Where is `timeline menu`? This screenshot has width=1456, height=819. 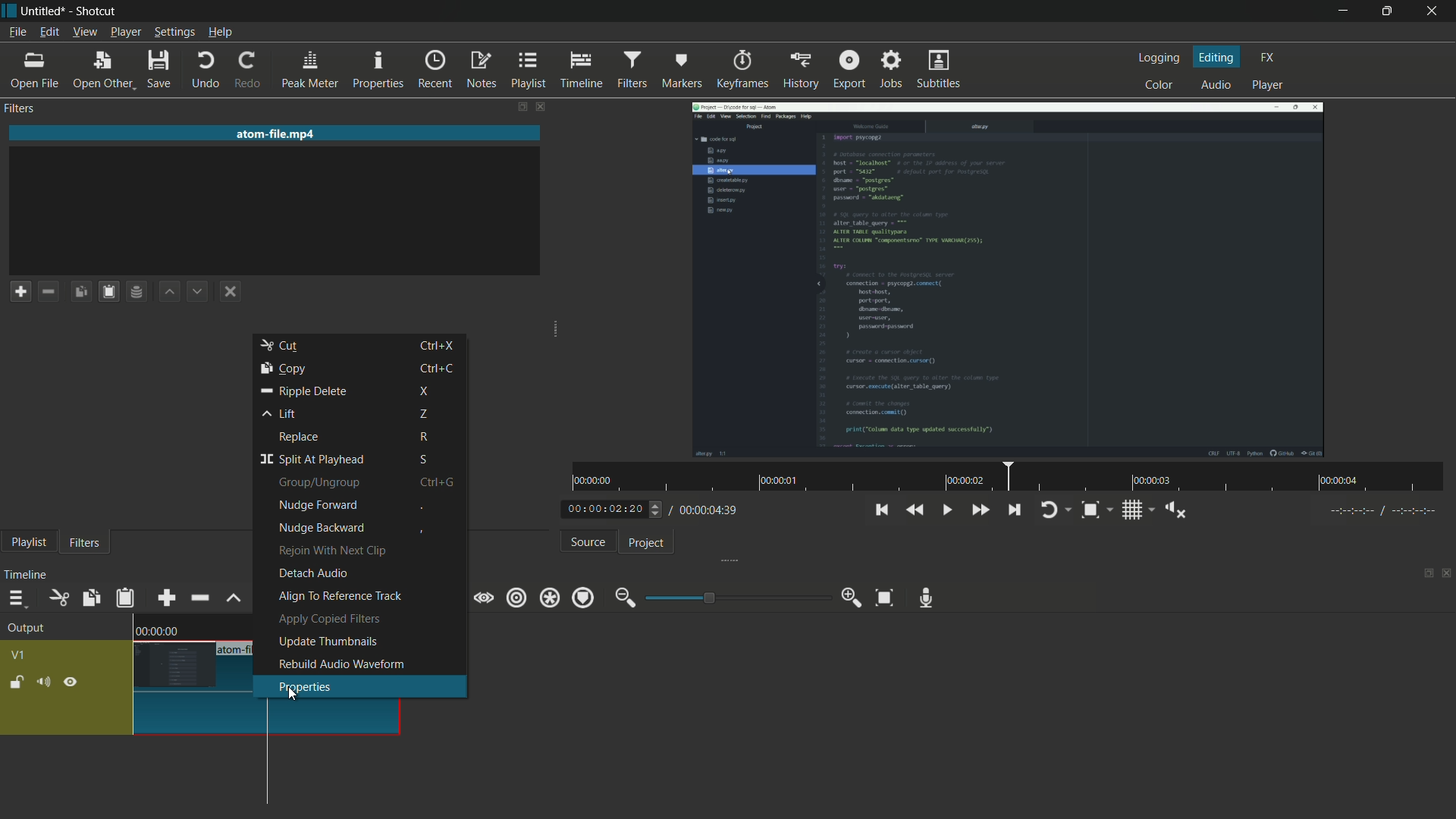
timeline menu is located at coordinates (20, 599).